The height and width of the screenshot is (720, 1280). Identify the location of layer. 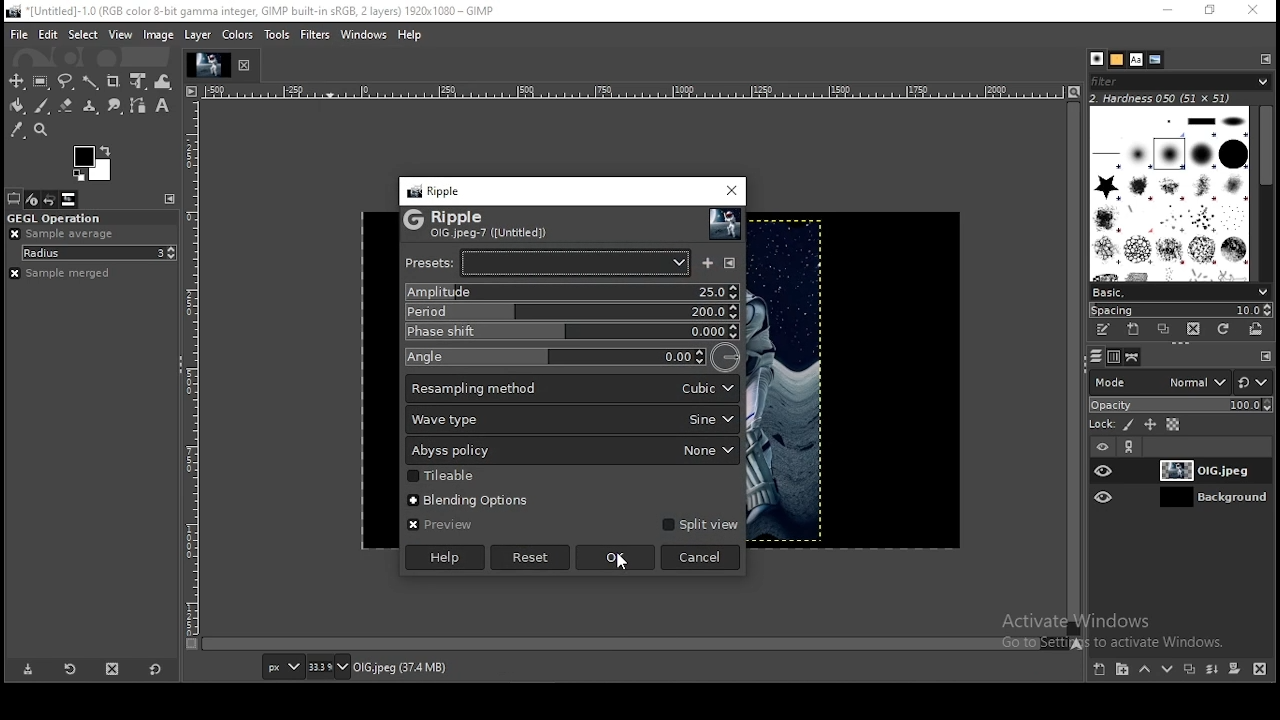
(200, 35).